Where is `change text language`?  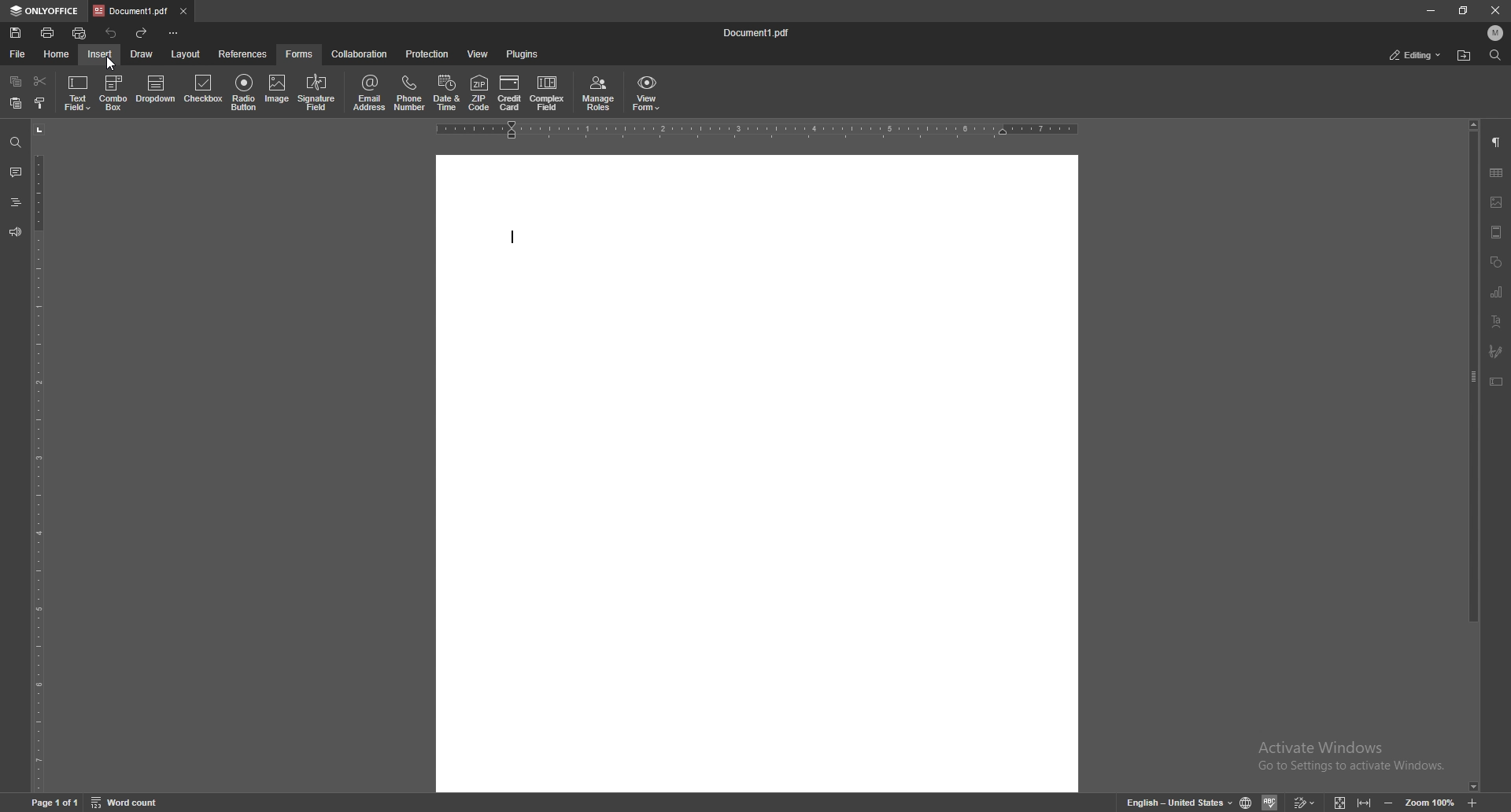 change text language is located at coordinates (1180, 802).